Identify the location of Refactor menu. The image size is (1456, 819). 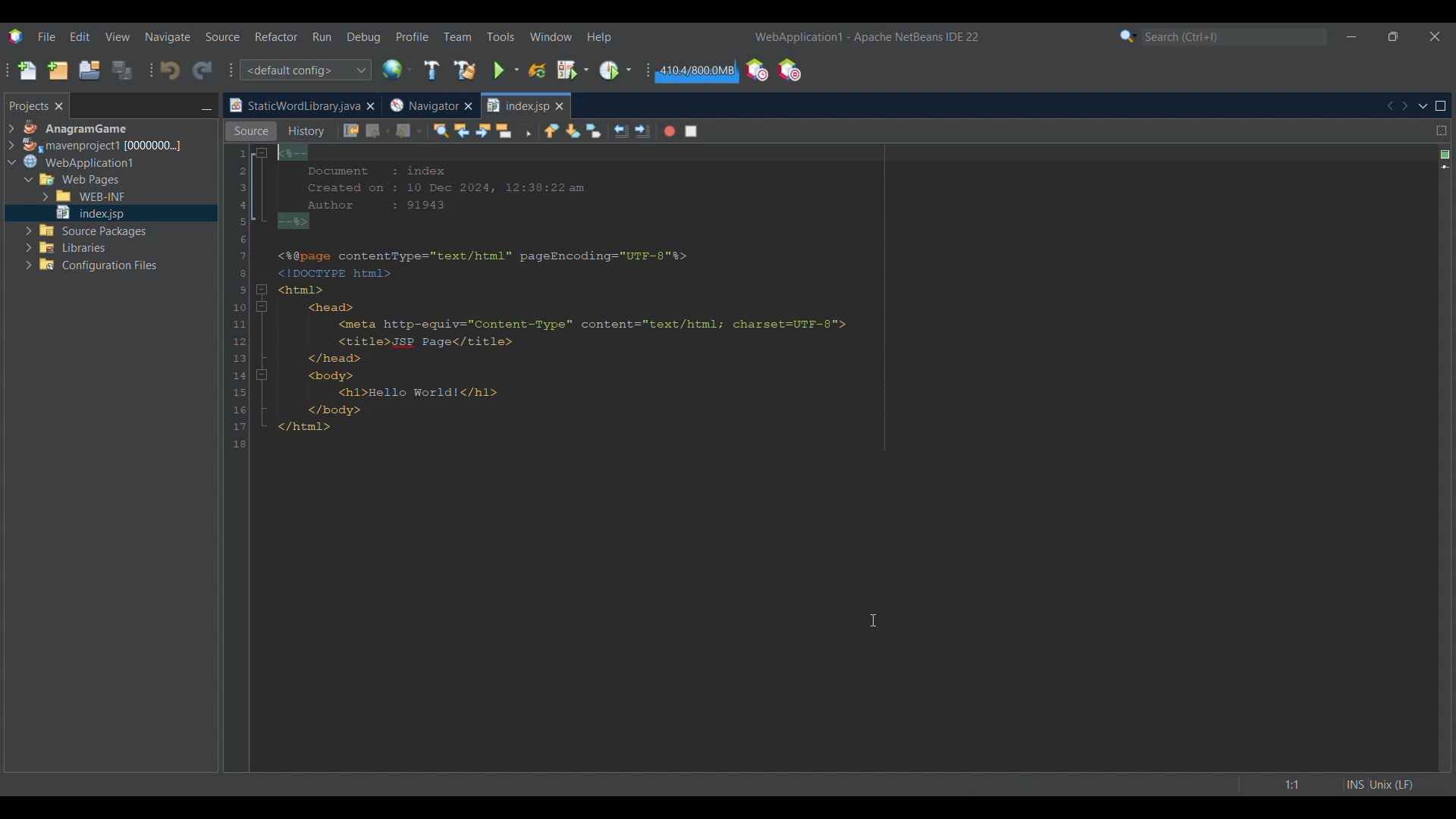
(276, 36).